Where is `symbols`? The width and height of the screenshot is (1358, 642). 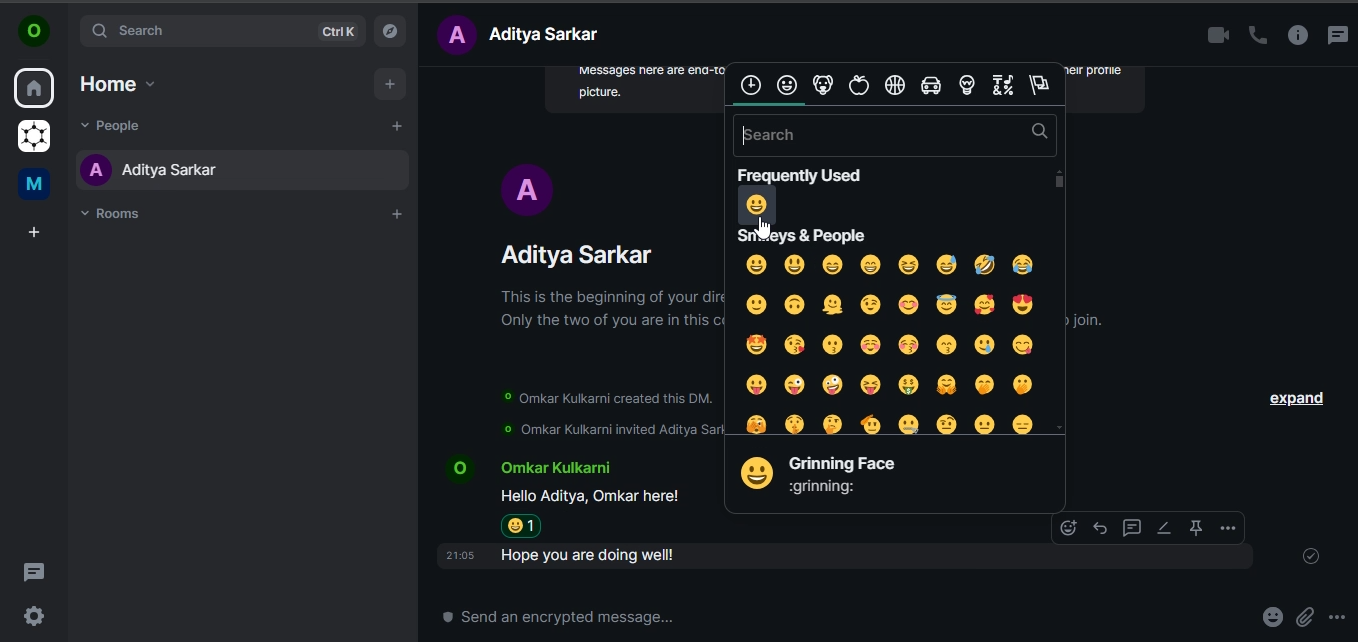
symbols is located at coordinates (1004, 85).